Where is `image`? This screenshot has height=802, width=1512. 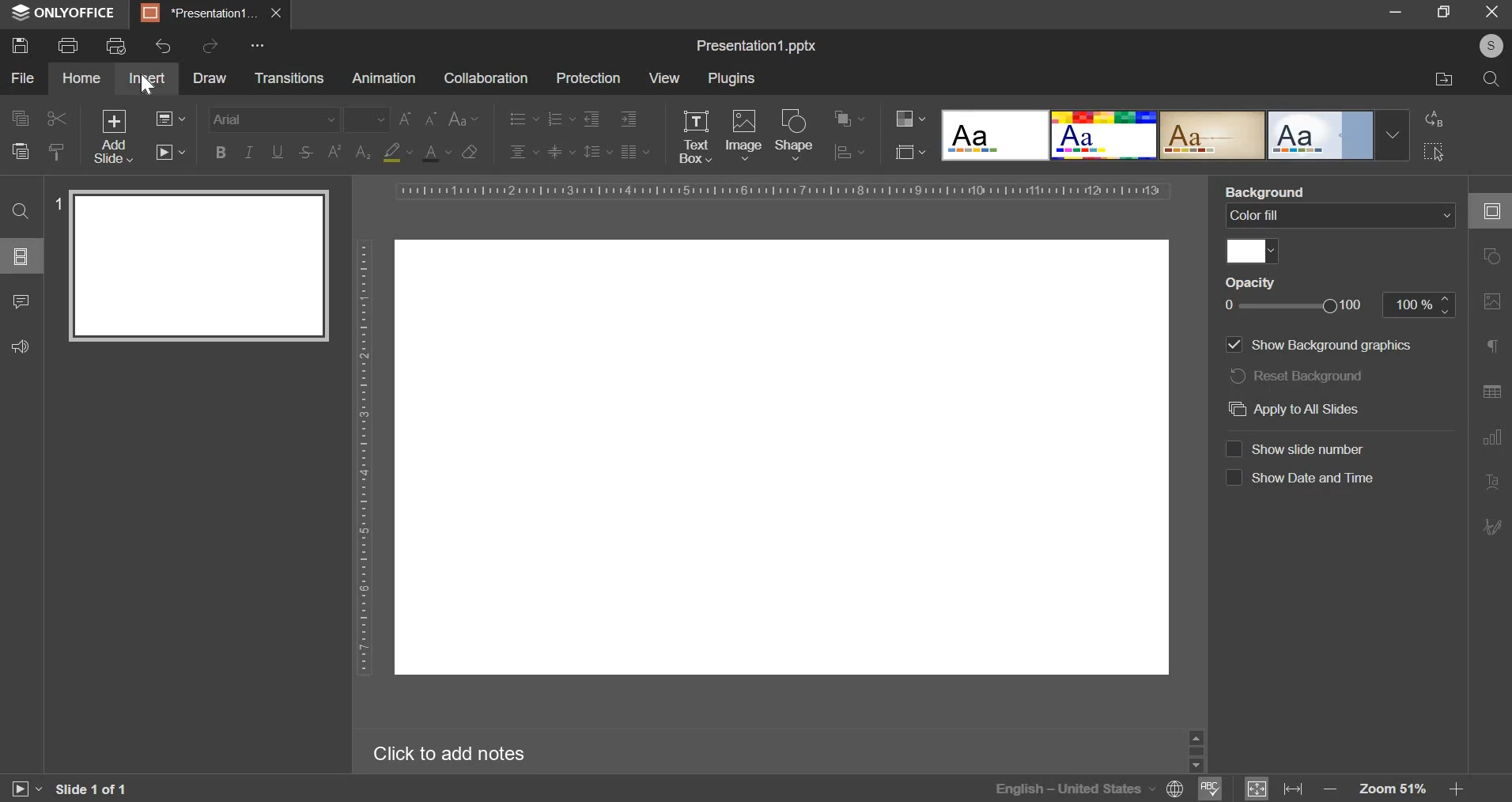 image is located at coordinates (744, 133).